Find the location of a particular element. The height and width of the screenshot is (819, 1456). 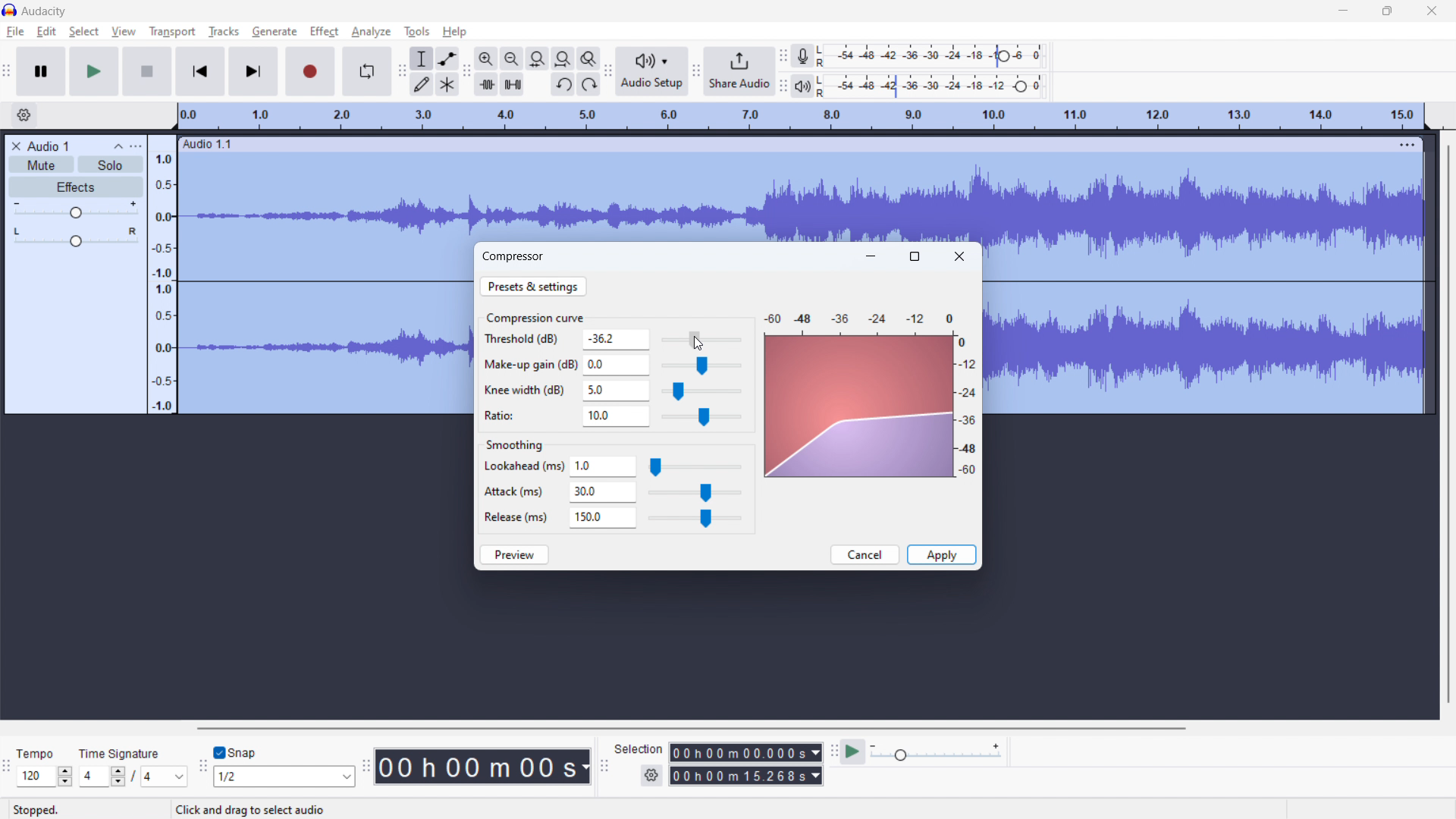

playback speed is located at coordinates (937, 752).